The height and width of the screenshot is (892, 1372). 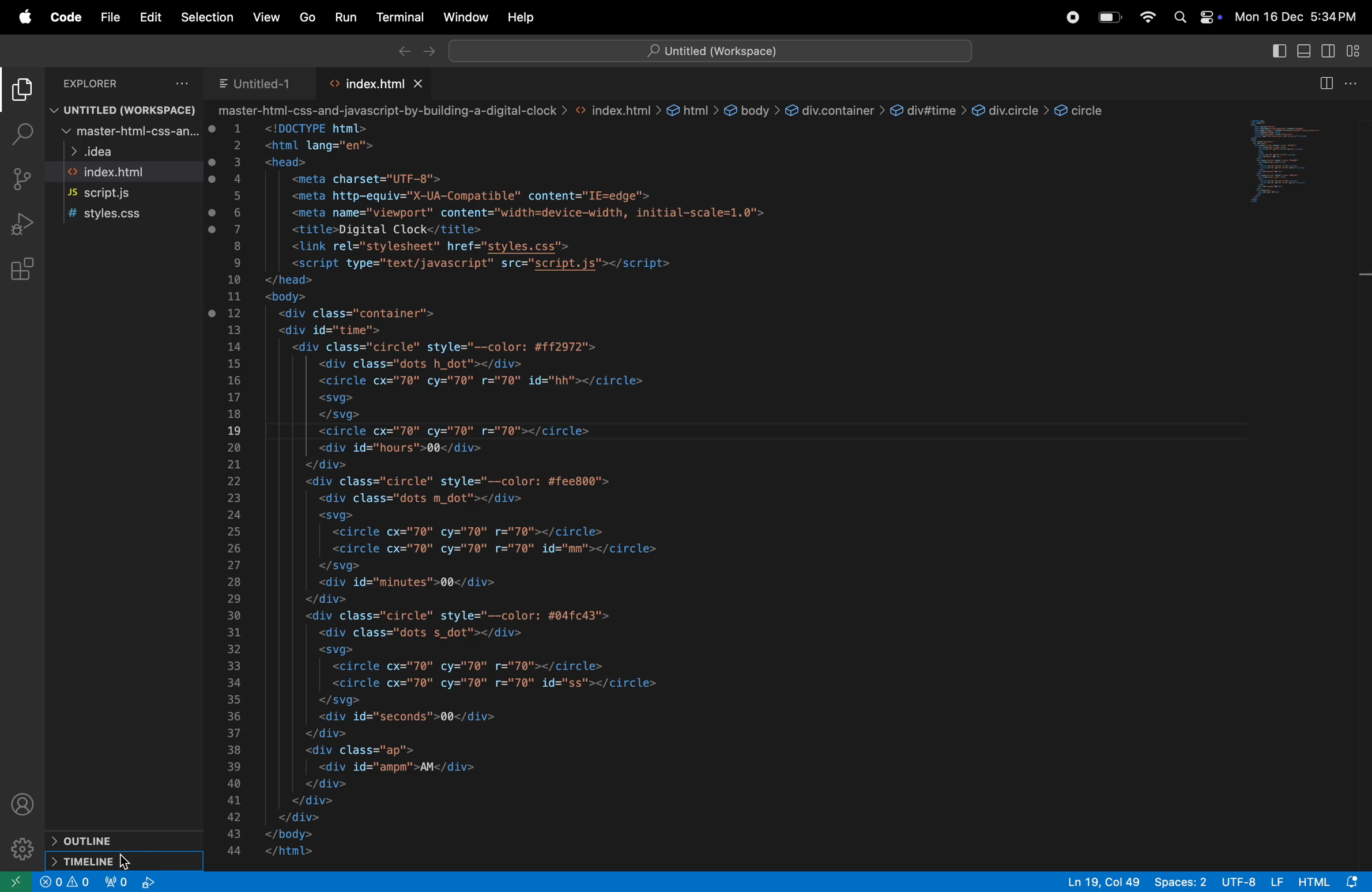 What do you see at coordinates (68, 882) in the screenshot?
I see `alert` at bounding box center [68, 882].